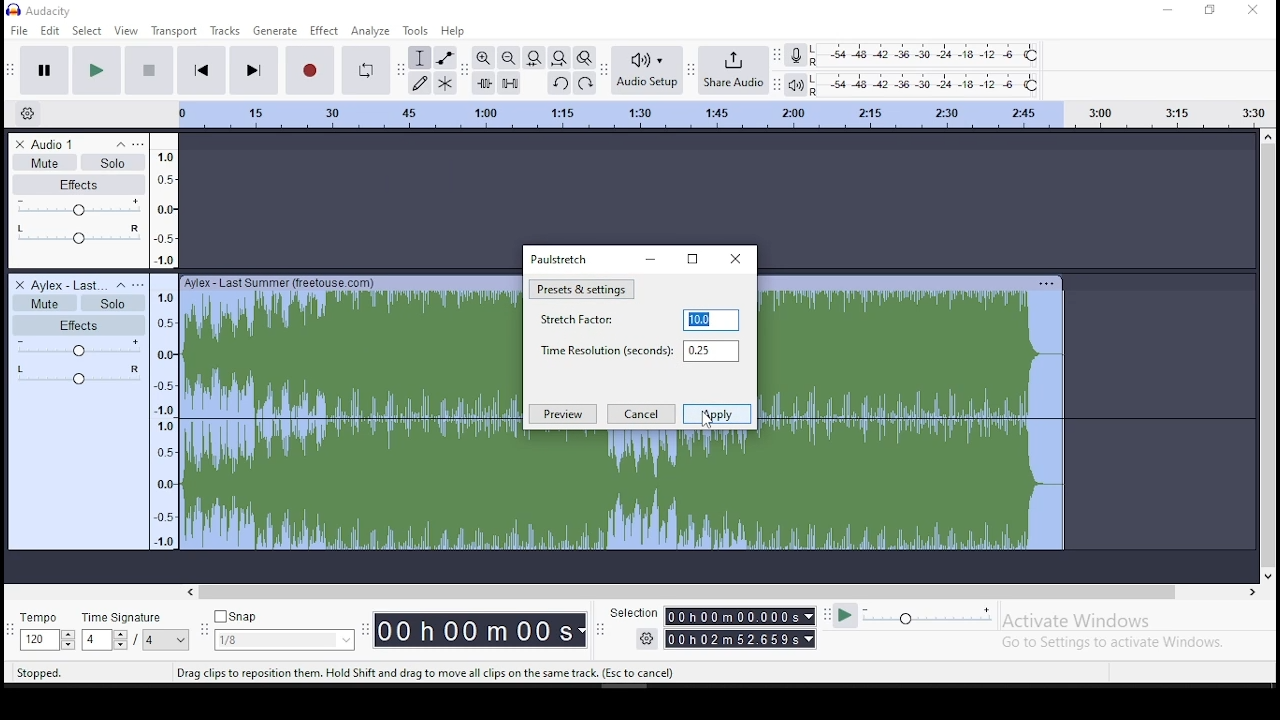 This screenshot has width=1280, height=720. What do you see at coordinates (559, 83) in the screenshot?
I see `undo` at bounding box center [559, 83].